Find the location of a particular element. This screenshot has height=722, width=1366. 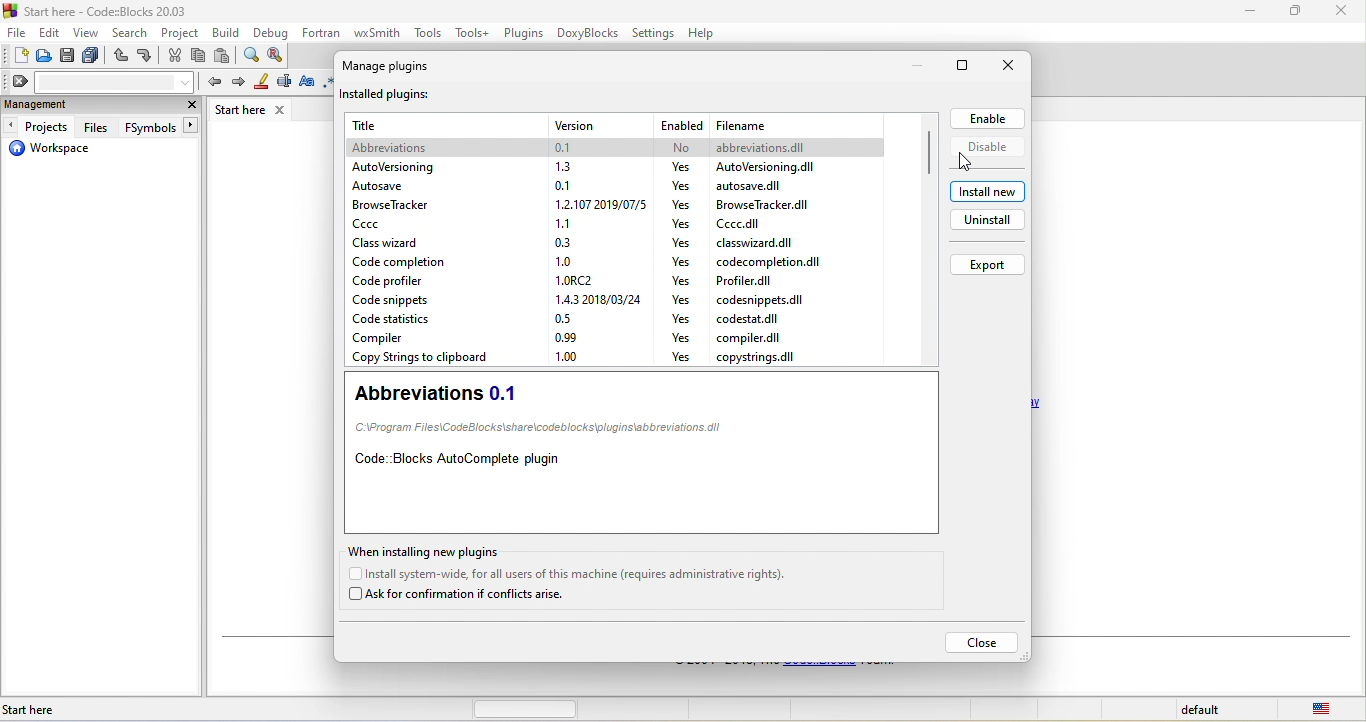

close is located at coordinates (190, 104).